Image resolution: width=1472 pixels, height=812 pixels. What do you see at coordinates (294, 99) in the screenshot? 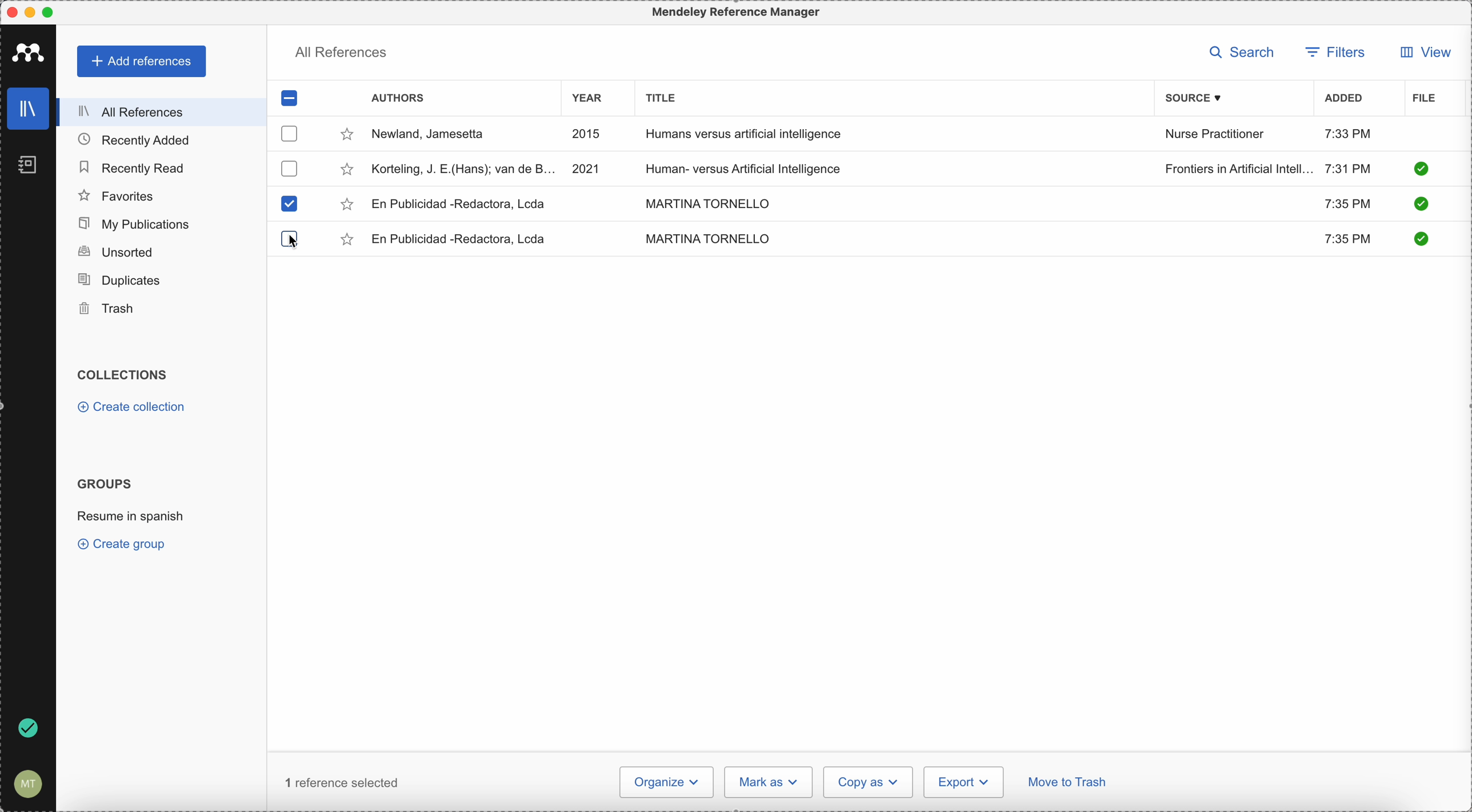
I see `checkbox` at bounding box center [294, 99].